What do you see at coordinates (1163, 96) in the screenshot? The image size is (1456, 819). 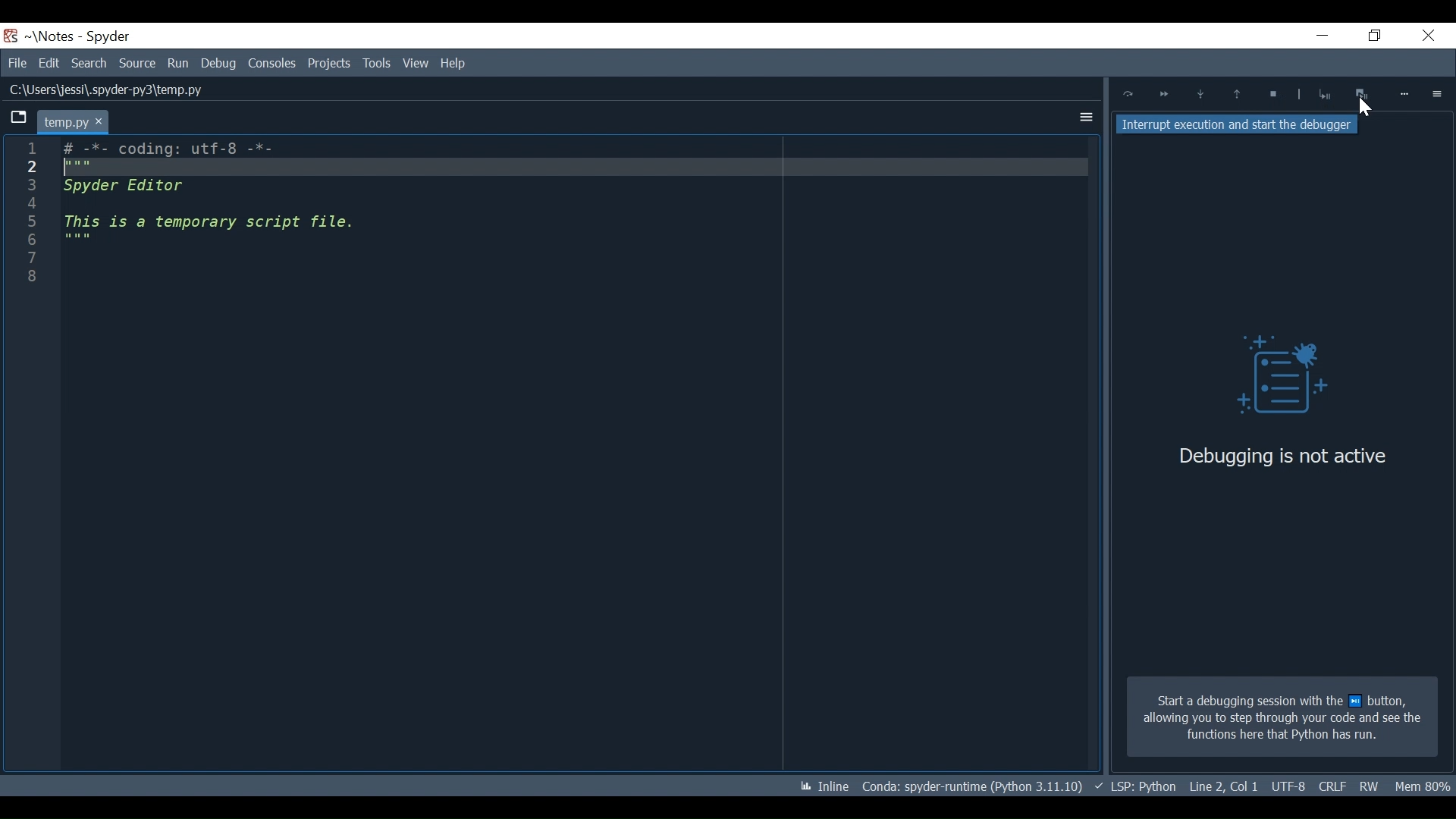 I see `Continue ExecutionUntil next breakpoint` at bounding box center [1163, 96].